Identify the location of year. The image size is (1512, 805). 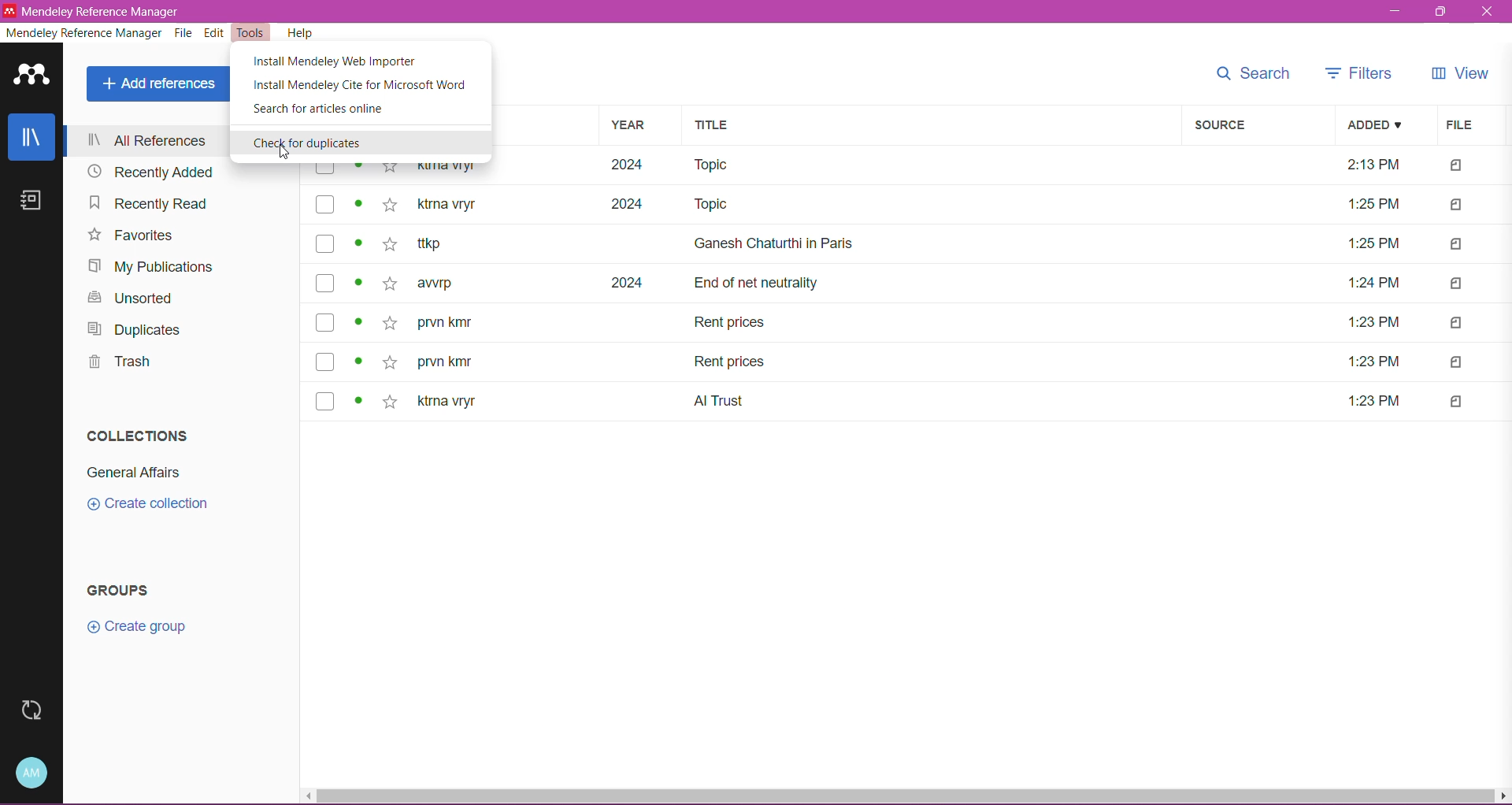
(630, 164).